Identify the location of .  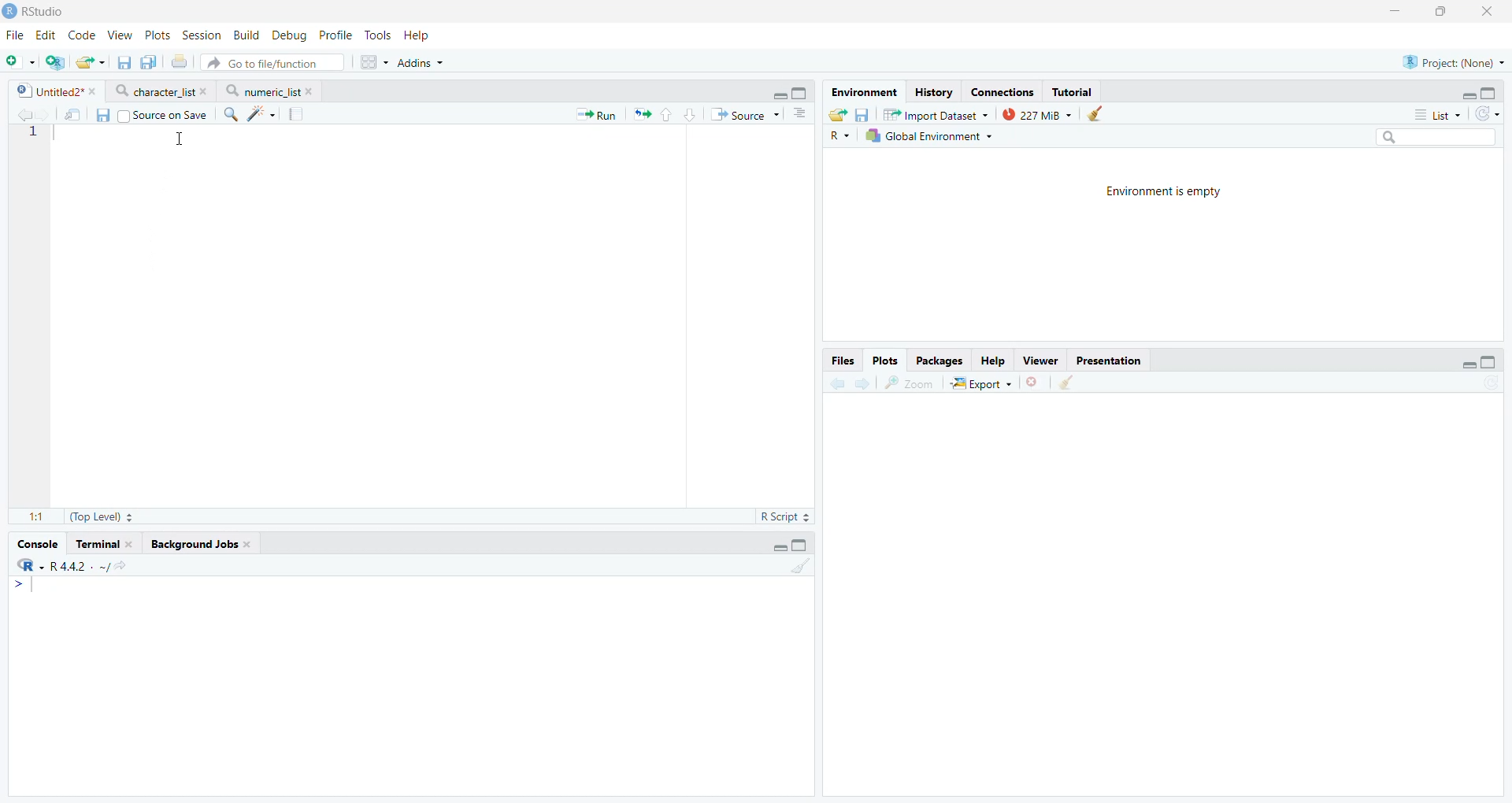
(993, 360).